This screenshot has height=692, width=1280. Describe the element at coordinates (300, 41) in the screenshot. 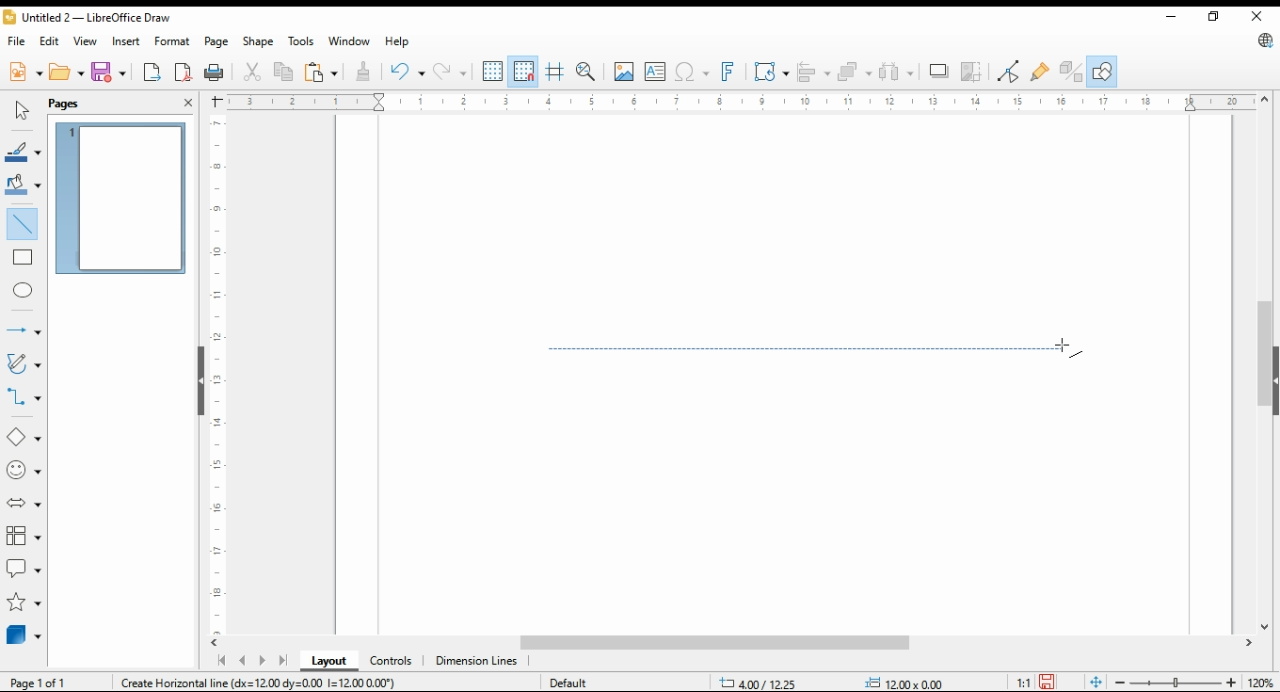

I see `tools` at that location.